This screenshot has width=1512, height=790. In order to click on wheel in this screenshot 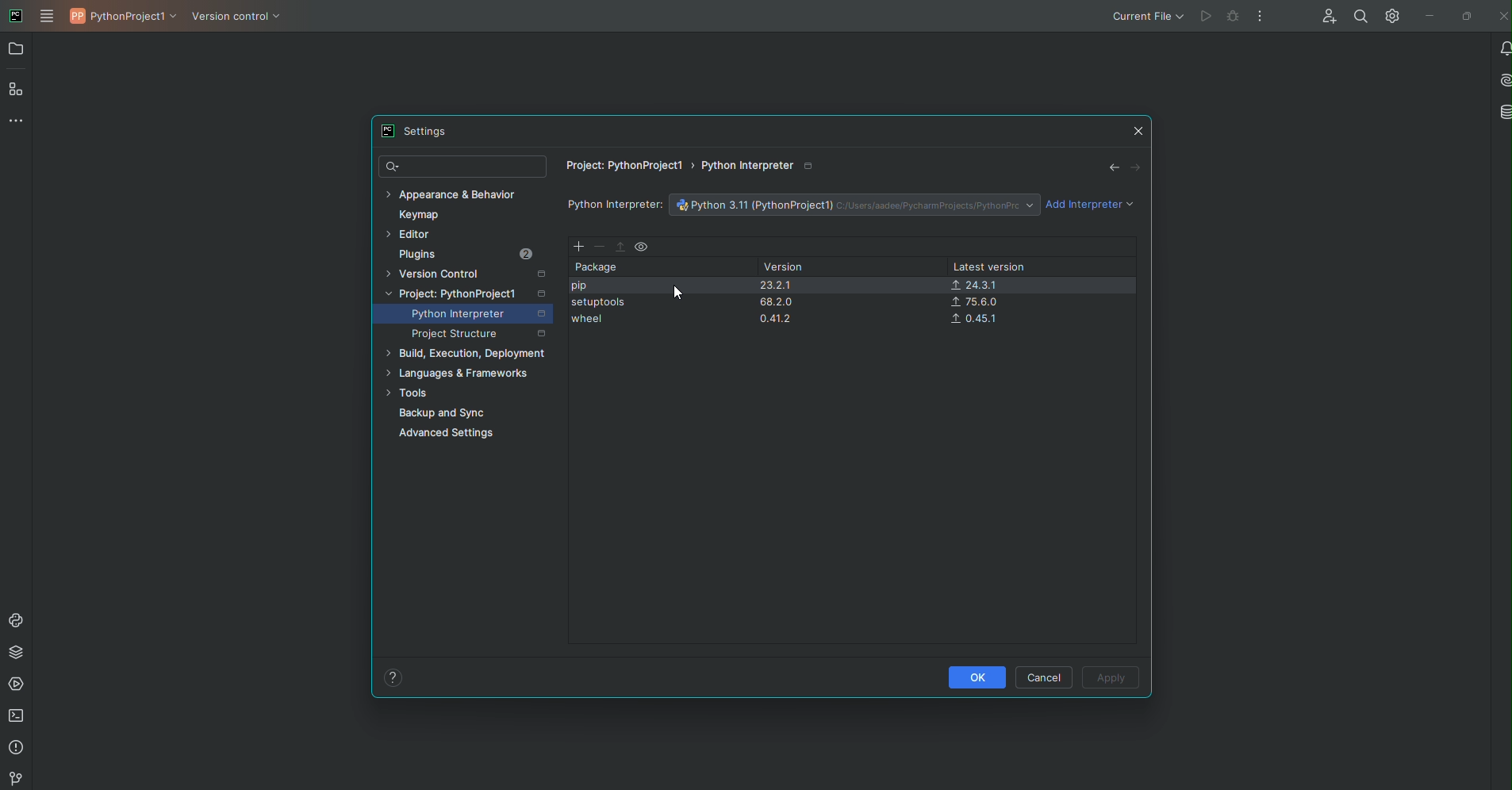, I will do `click(589, 321)`.